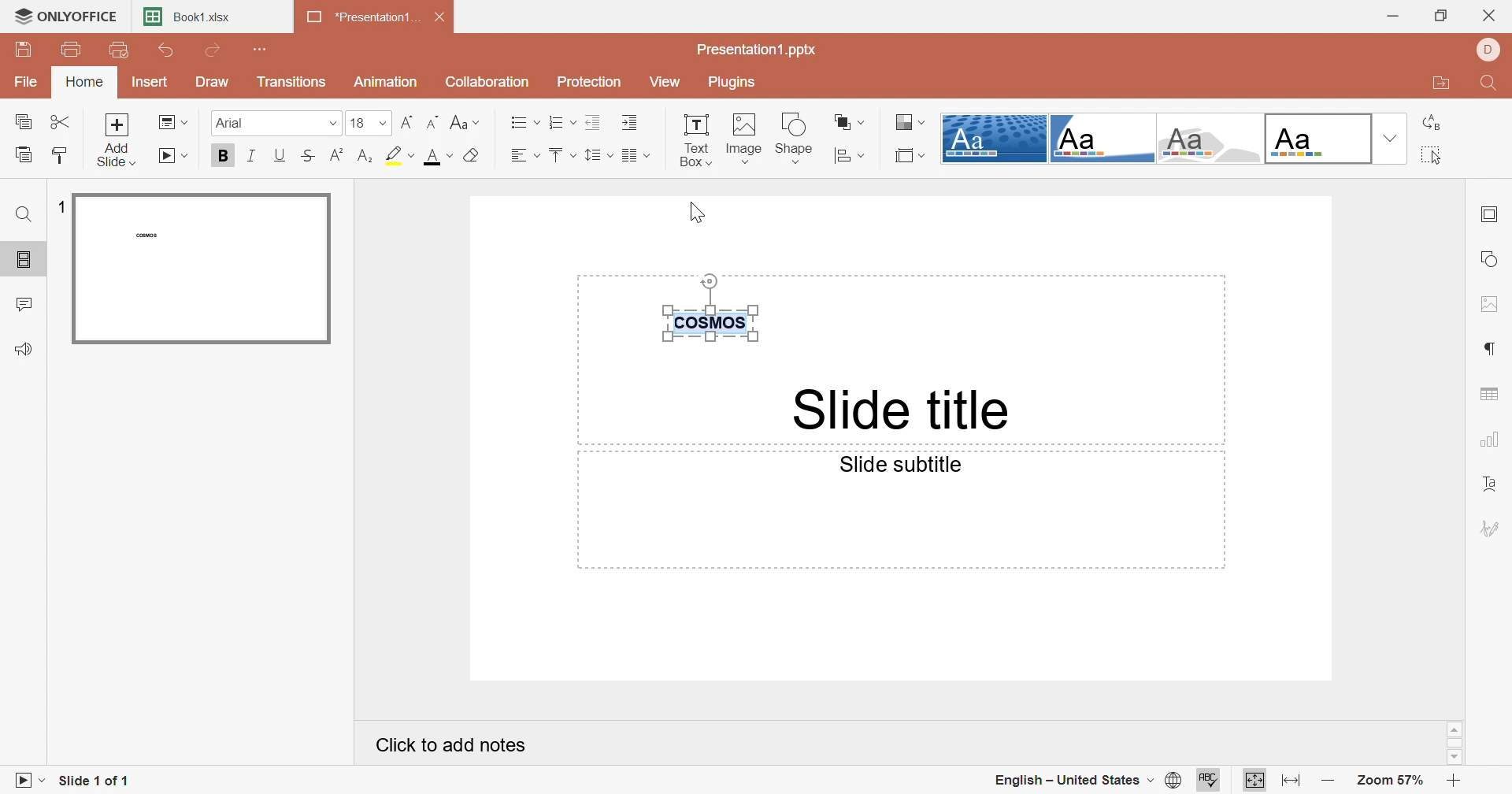 The height and width of the screenshot is (794, 1512). What do you see at coordinates (170, 53) in the screenshot?
I see `Undo` at bounding box center [170, 53].